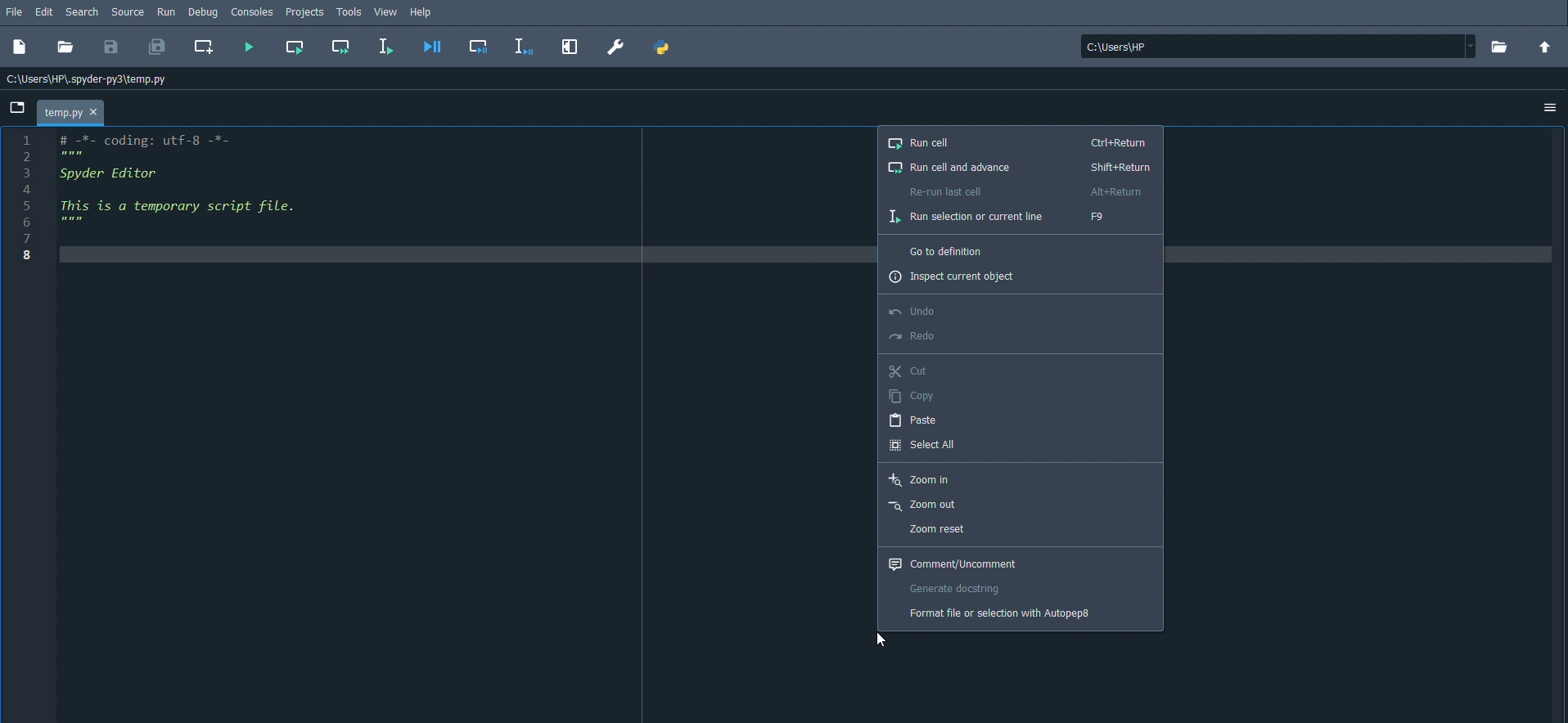 The height and width of the screenshot is (723, 1568). Describe the element at coordinates (87, 80) in the screenshot. I see `C:\Users\HP\.spyder-py3\temp.py` at that location.